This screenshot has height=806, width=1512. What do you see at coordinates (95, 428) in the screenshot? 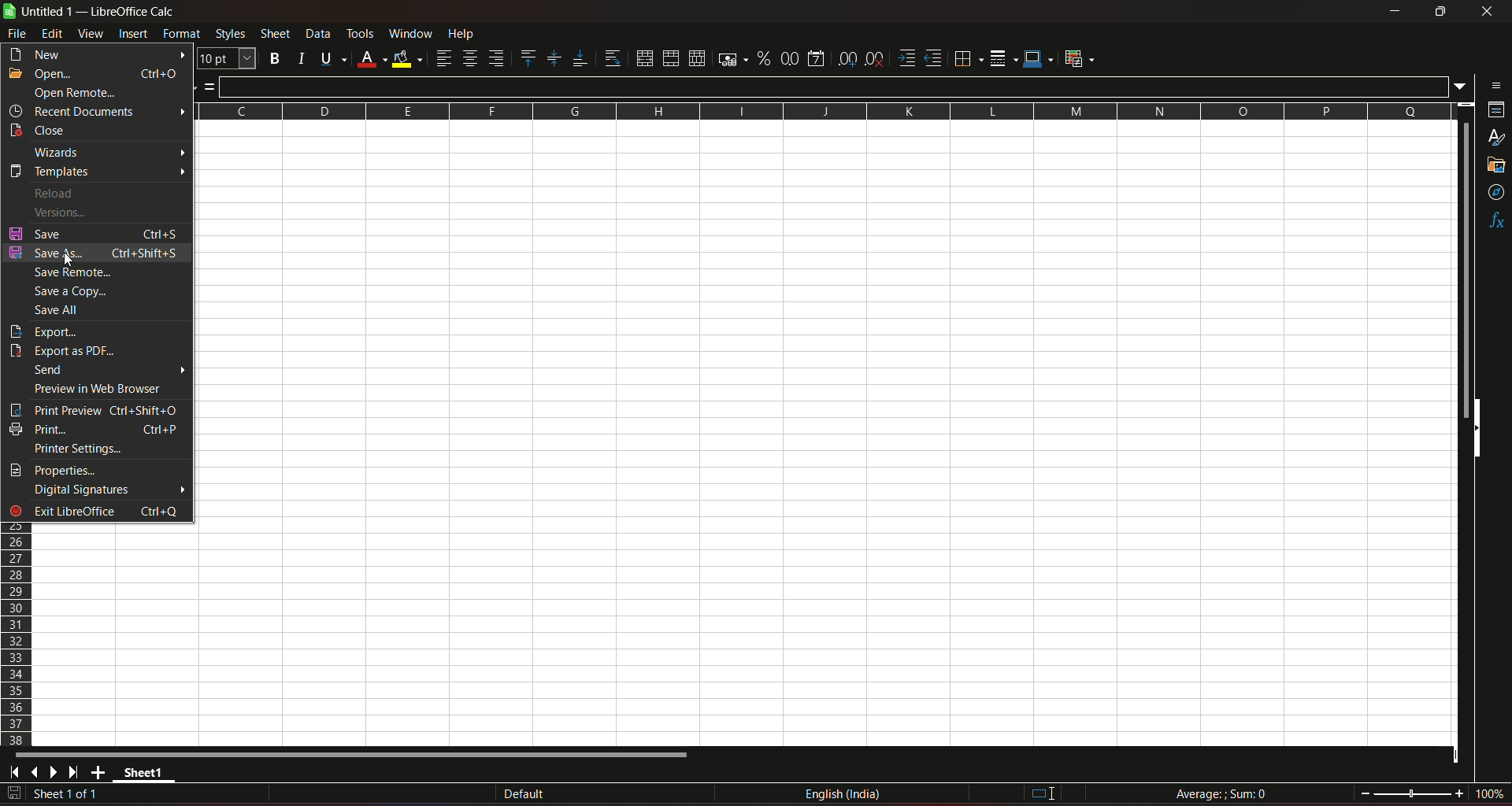
I see `print` at bounding box center [95, 428].